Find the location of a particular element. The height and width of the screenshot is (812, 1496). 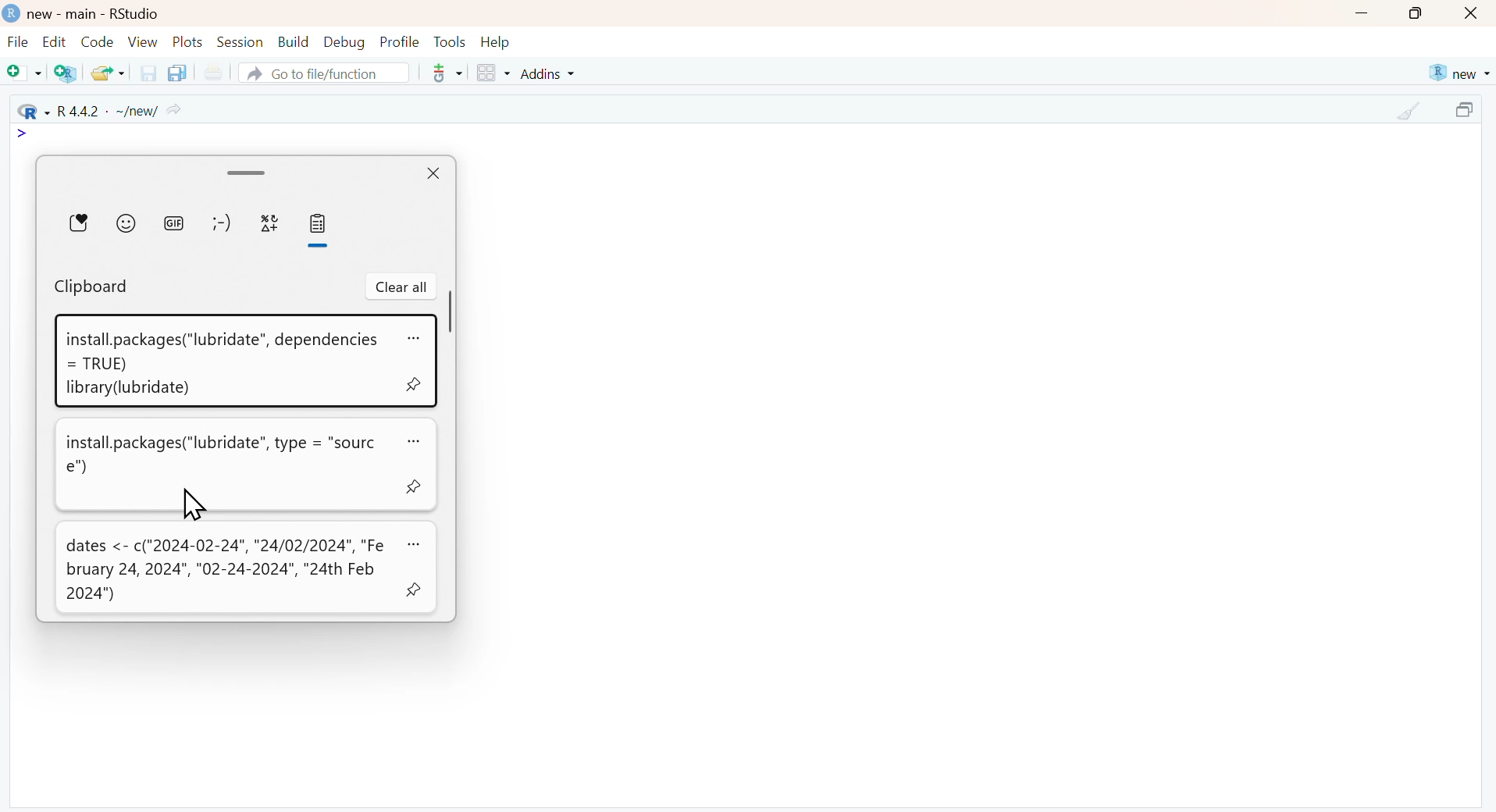

maximize is located at coordinates (1416, 13).